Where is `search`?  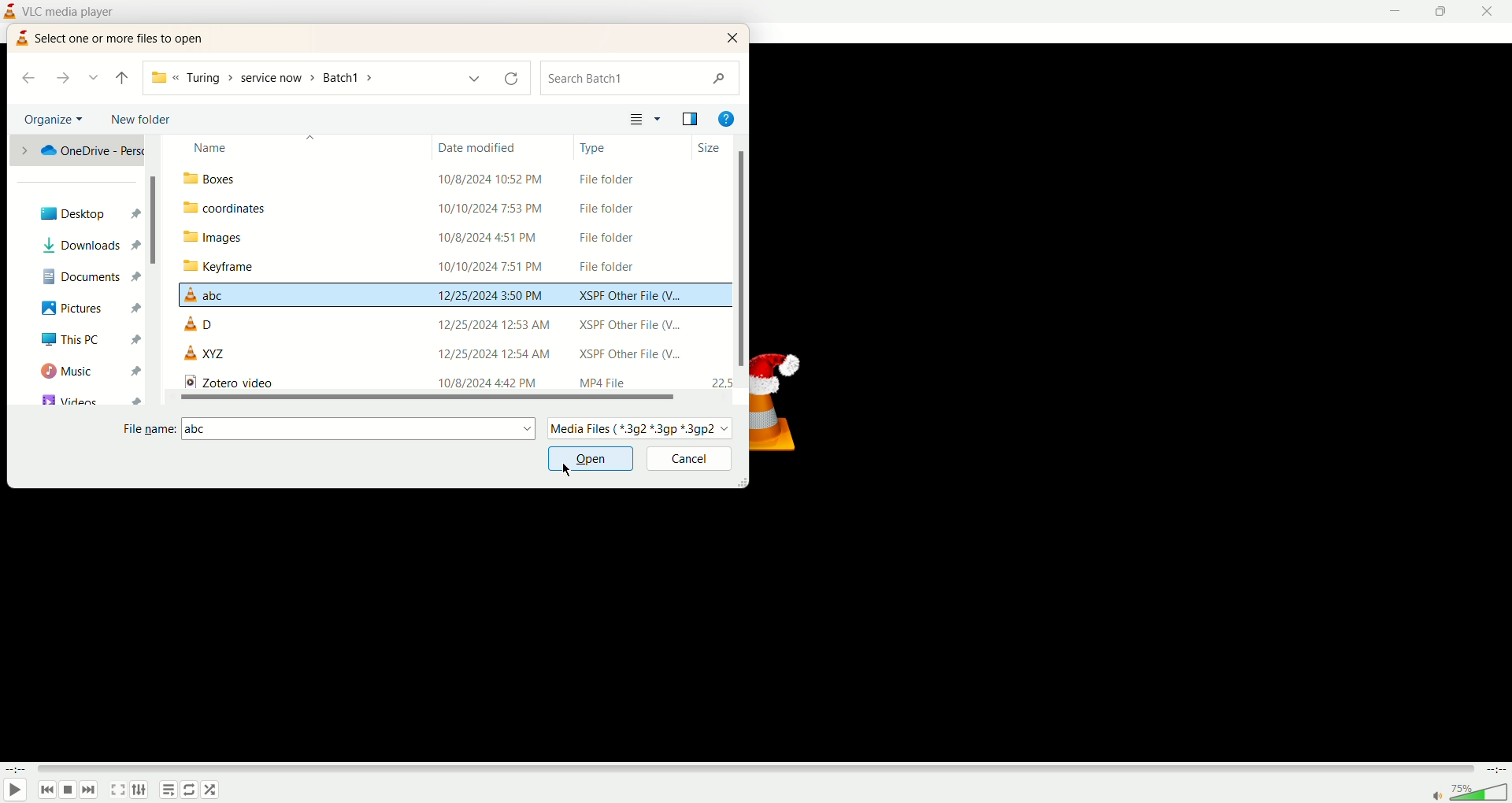 search is located at coordinates (642, 77).